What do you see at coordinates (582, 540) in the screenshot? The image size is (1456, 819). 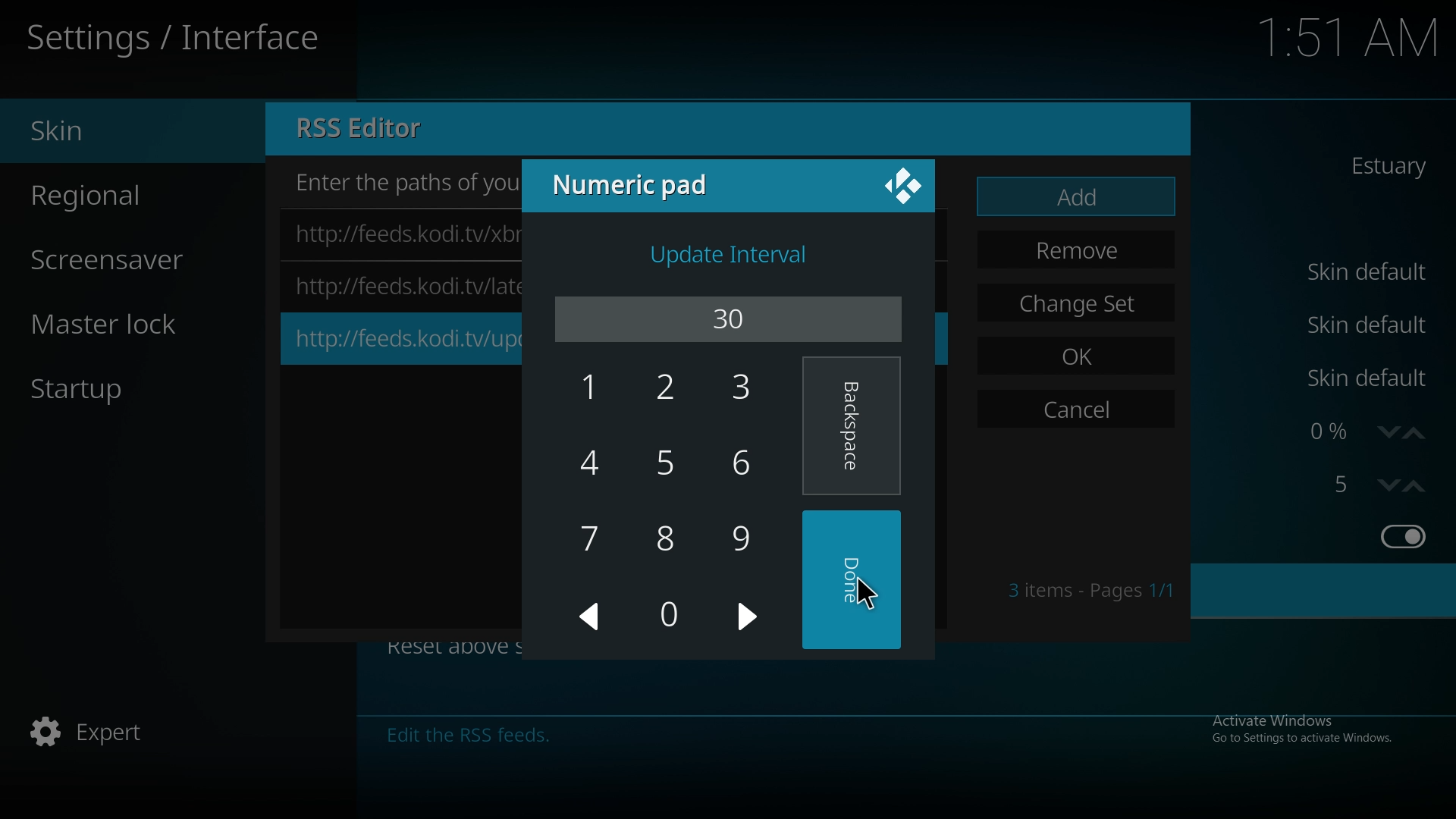 I see `7` at bounding box center [582, 540].